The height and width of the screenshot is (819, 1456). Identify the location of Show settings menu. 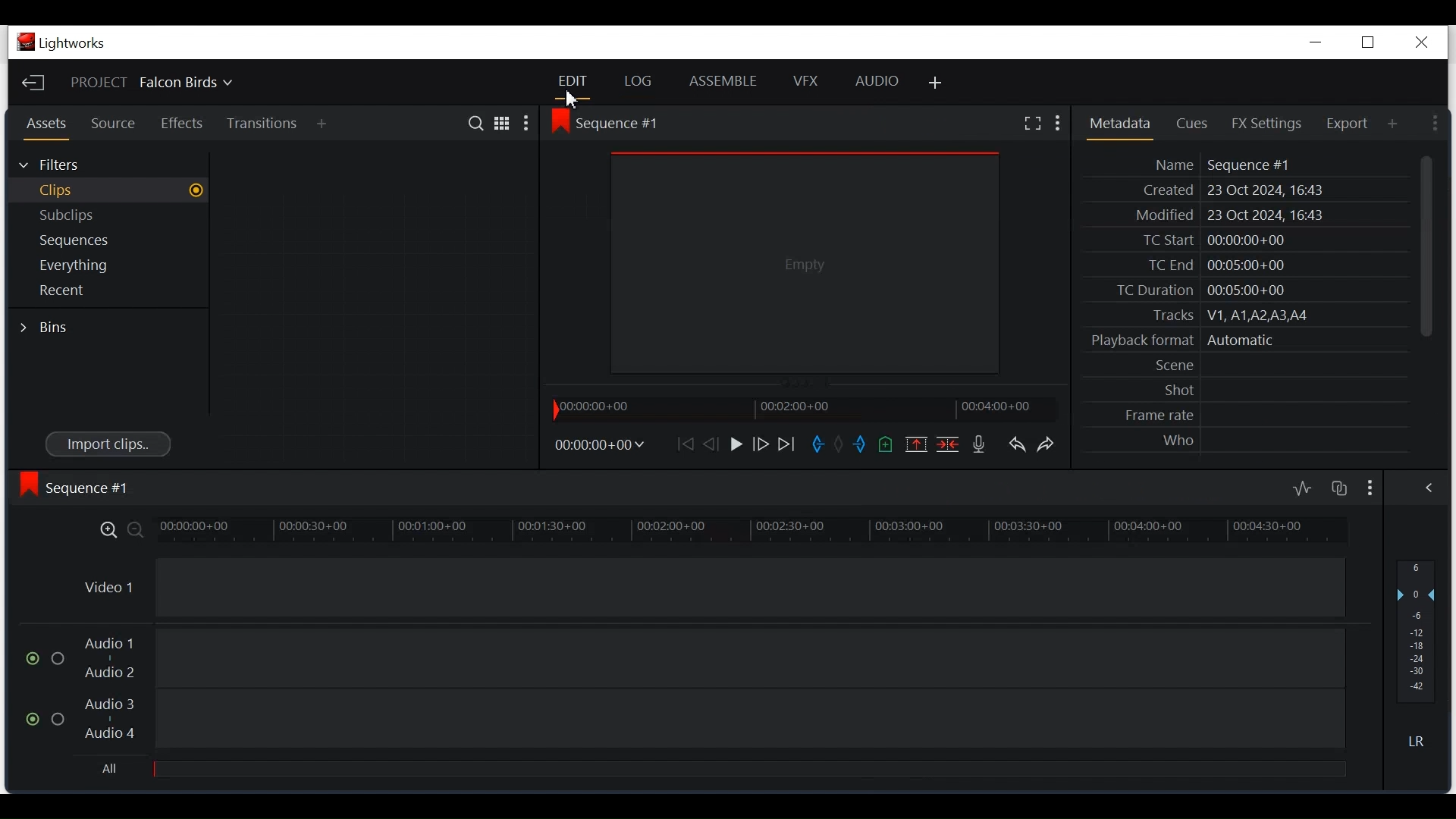
(1432, 123).